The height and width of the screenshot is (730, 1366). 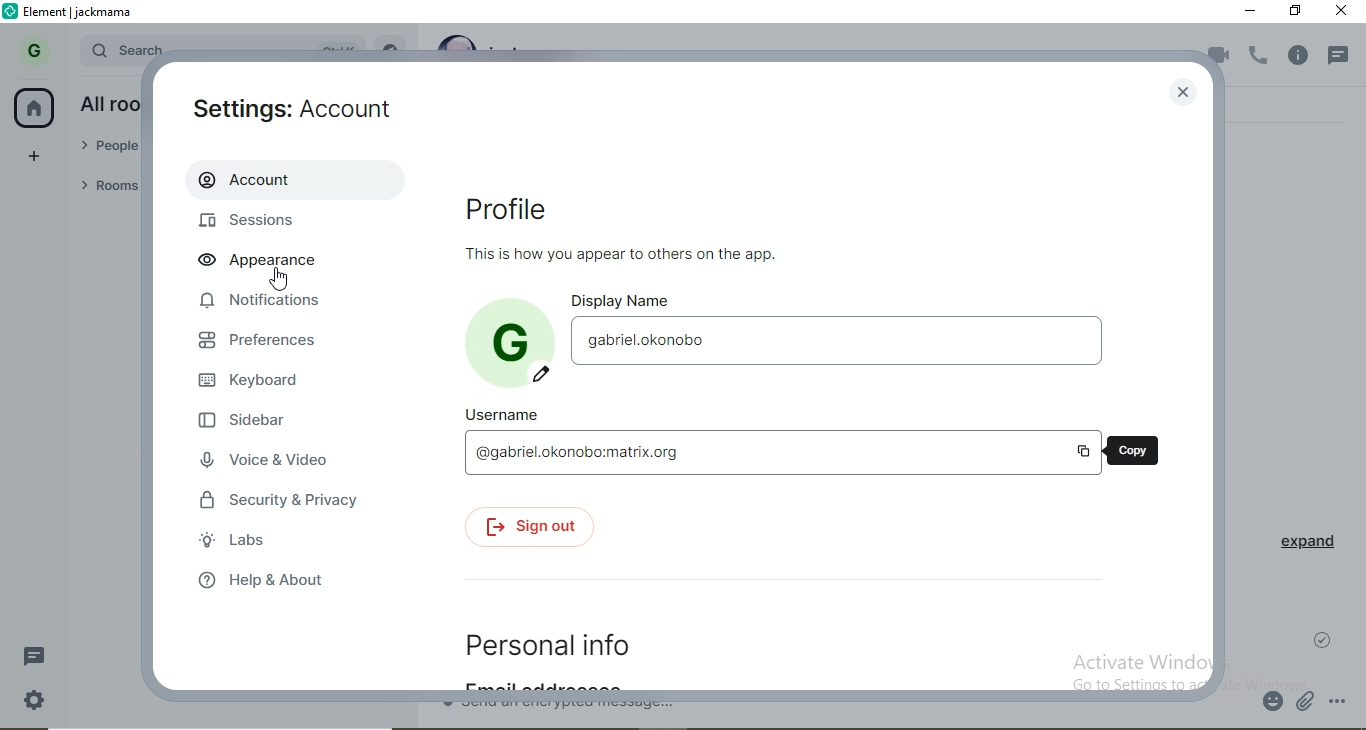 I want to click on info, so click(x=1303, y=56).